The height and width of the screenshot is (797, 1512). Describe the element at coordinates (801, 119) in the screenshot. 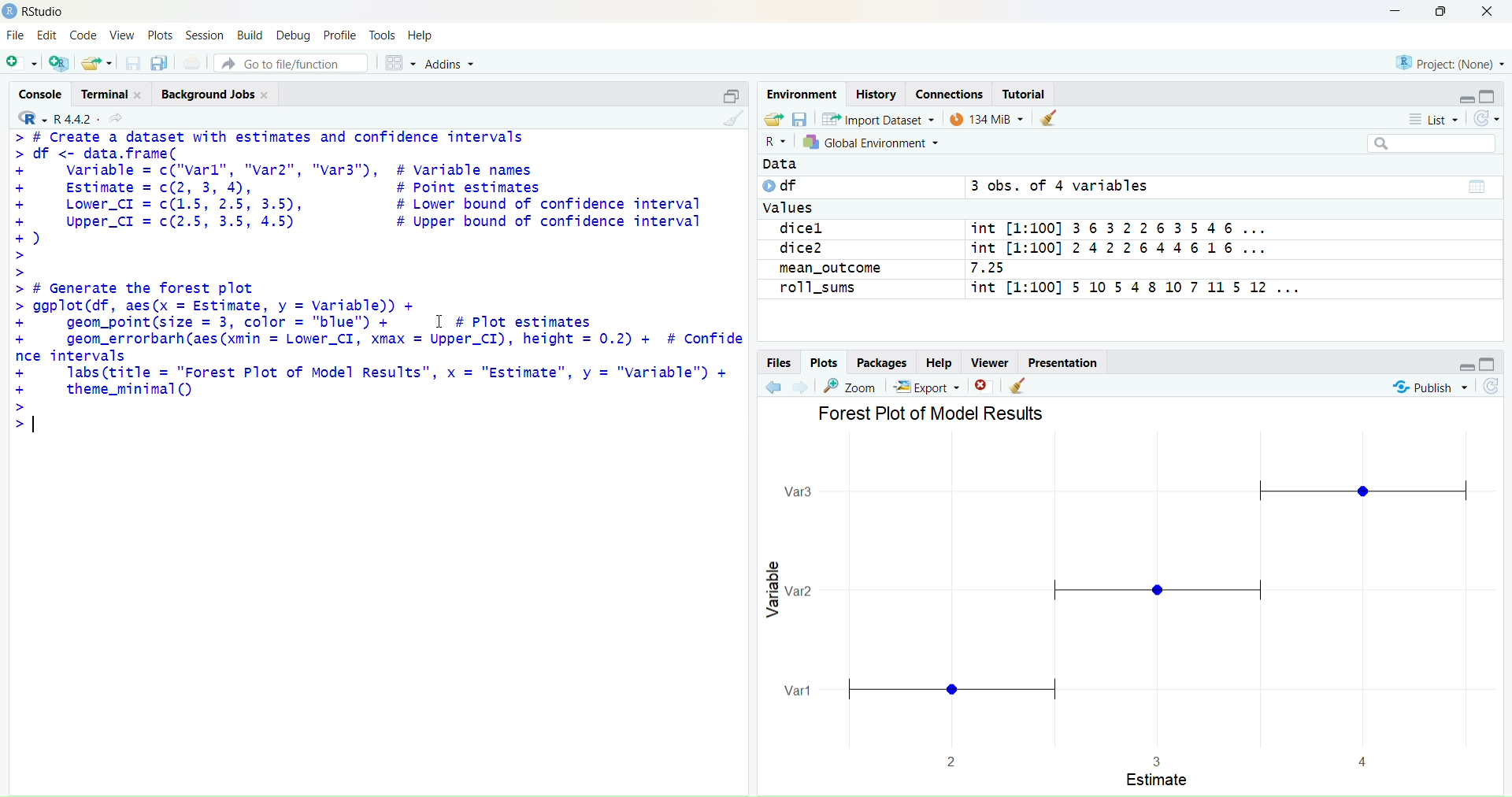

I see `save` at that location.